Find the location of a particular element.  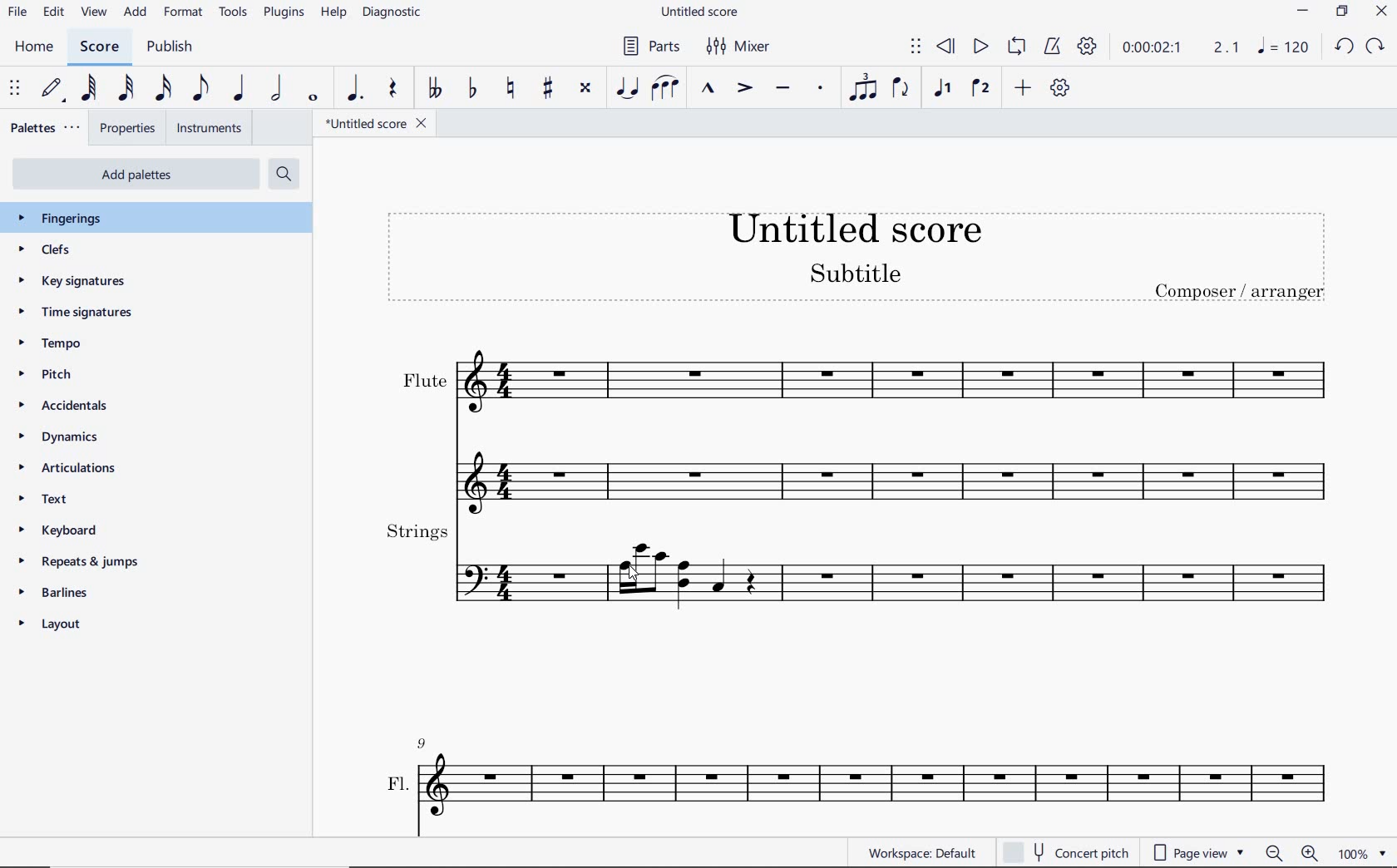

metronome is located at coordinates (1052, 49).